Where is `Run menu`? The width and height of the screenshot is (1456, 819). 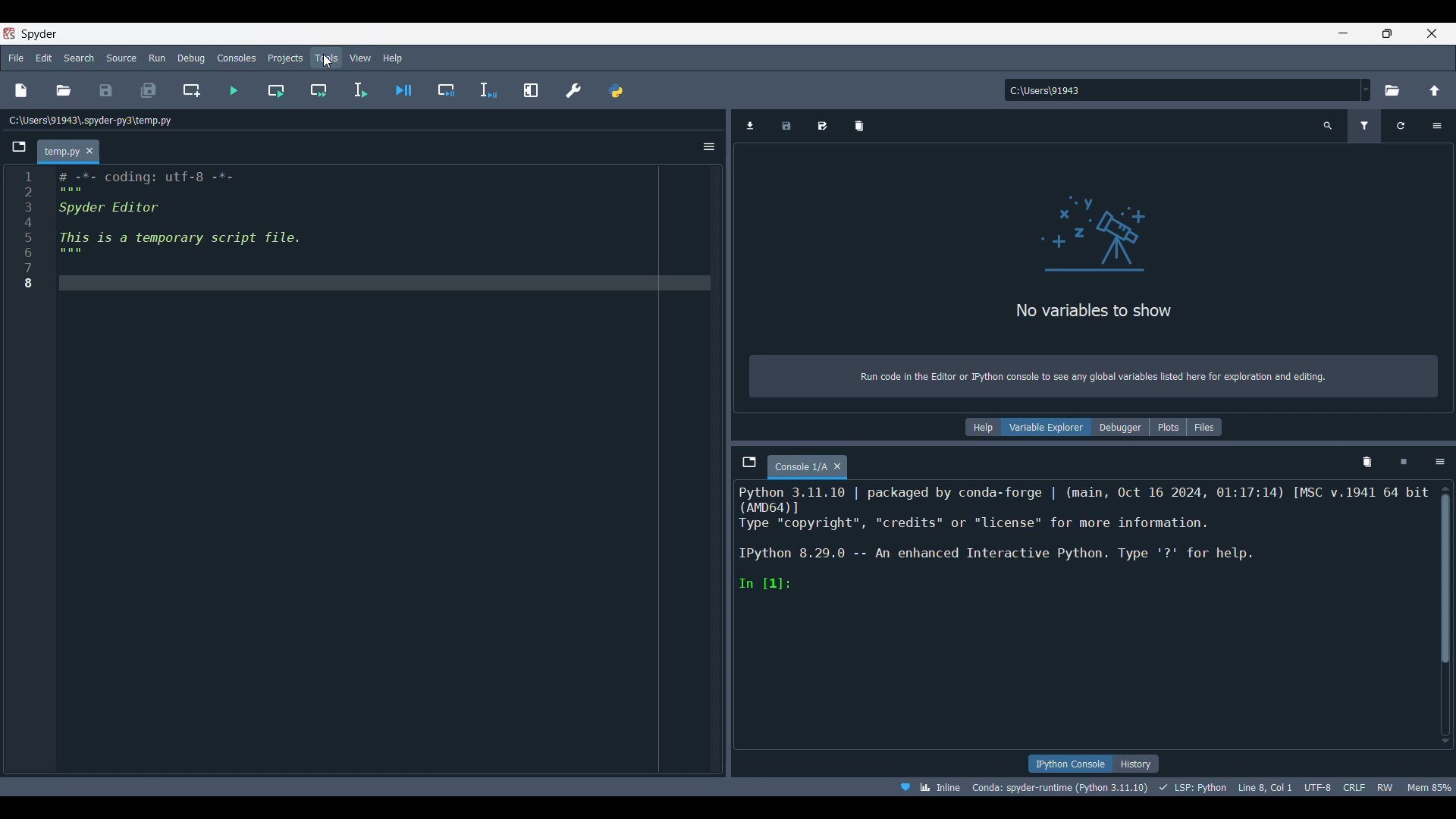
Run menu is located at coordinates (157, 58).